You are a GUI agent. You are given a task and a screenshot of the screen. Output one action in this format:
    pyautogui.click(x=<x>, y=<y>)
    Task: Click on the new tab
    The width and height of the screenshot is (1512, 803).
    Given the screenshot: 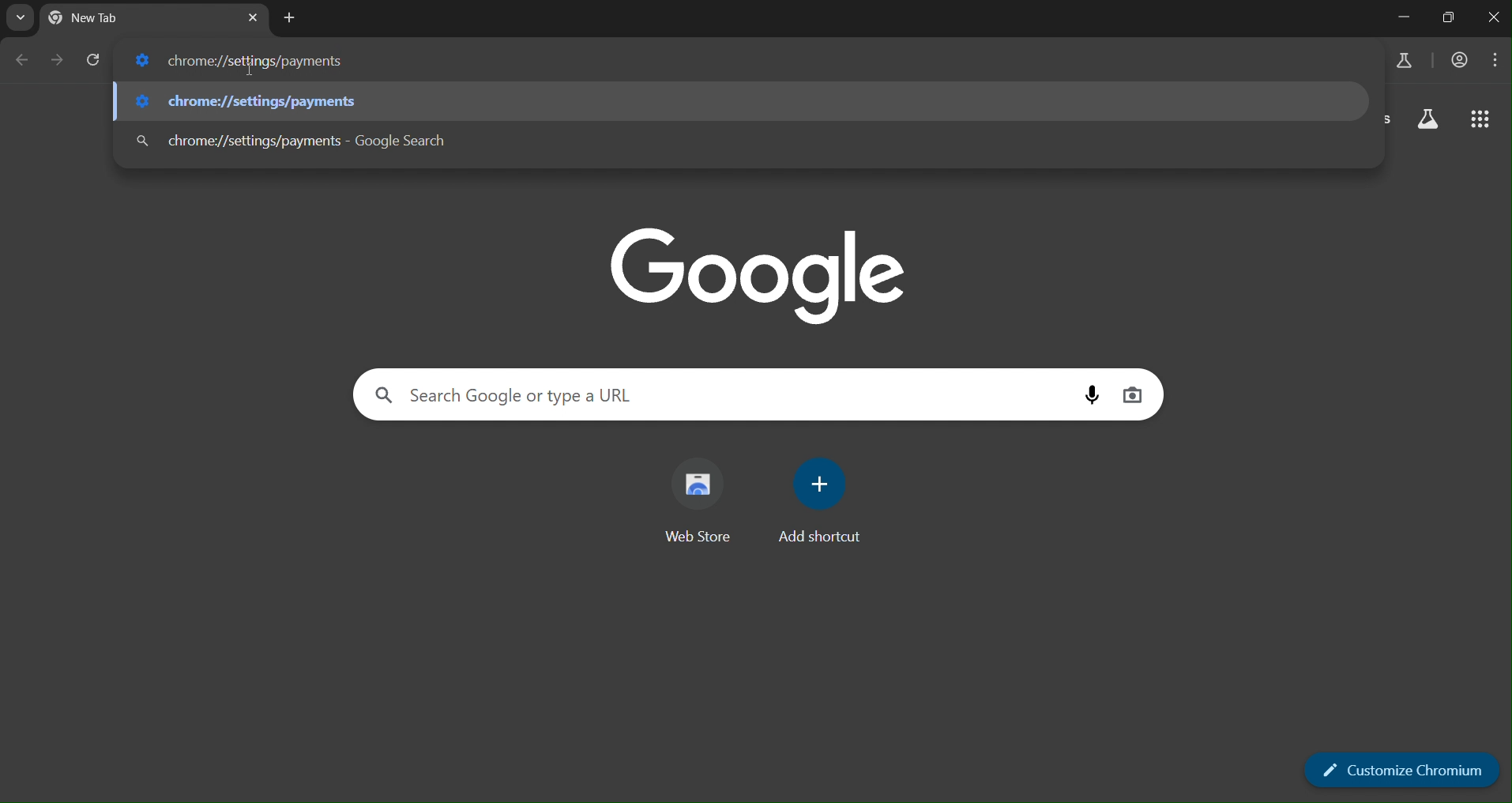 What is the action you would take?
    pyautogui.click(x=292, y=17)
    